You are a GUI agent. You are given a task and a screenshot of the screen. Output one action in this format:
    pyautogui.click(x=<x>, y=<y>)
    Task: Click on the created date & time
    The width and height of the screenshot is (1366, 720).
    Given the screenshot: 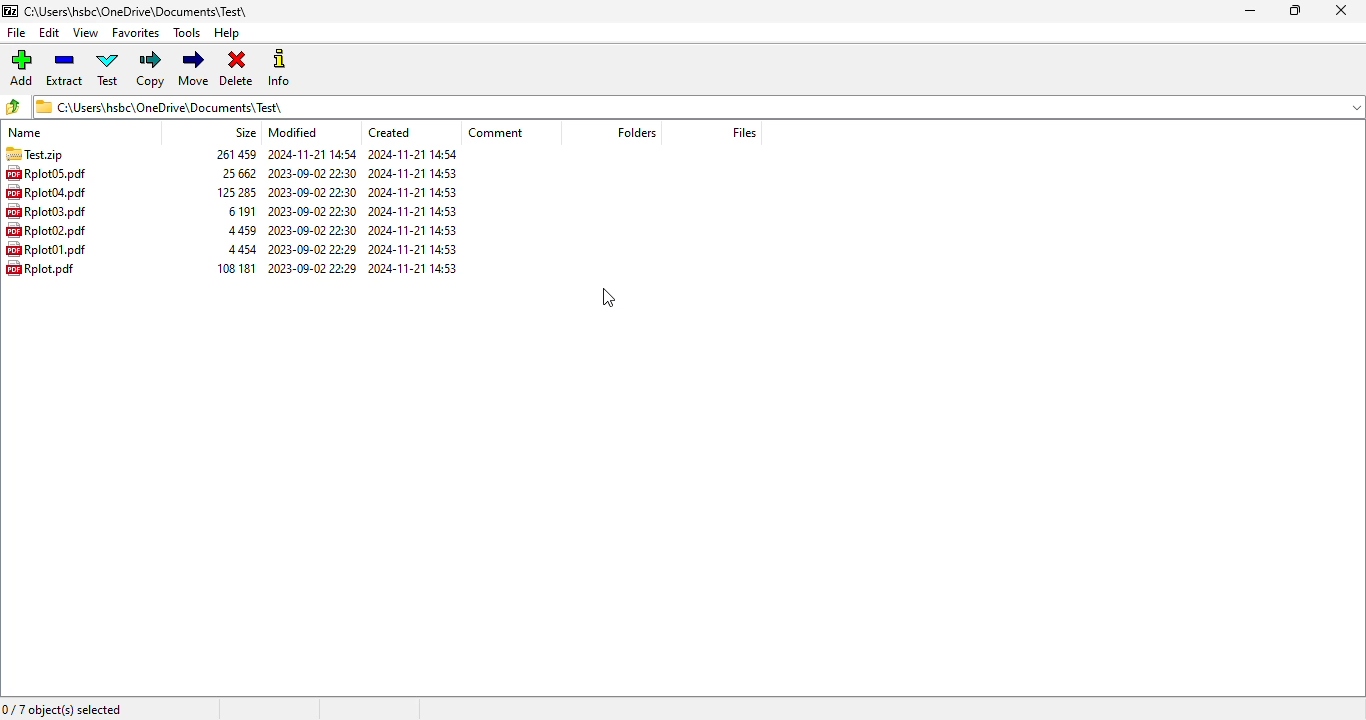 What is the action you would take?
    pyautogui.click(x=414, y=269)
    